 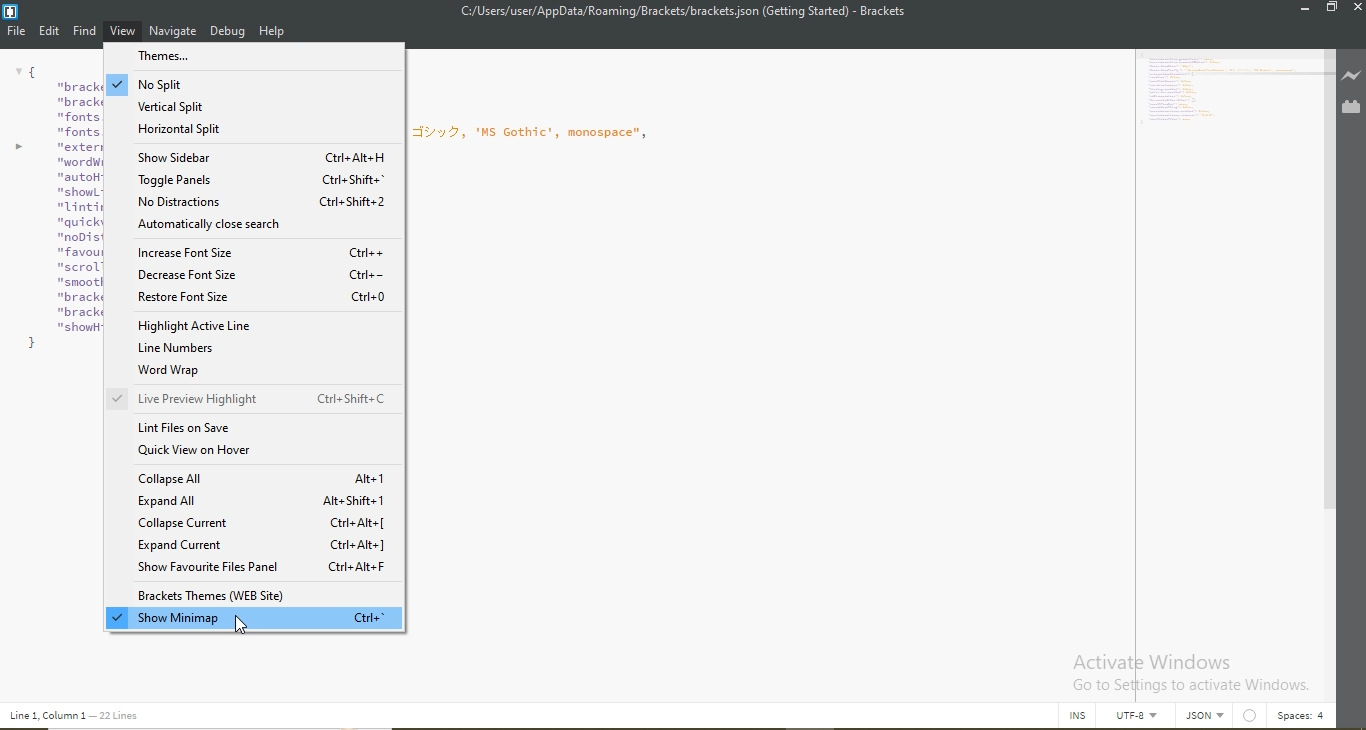 What do you see at coordinates (79, 716) in the screenshot?
I see `Line code data` at bounding box center [79, 716].